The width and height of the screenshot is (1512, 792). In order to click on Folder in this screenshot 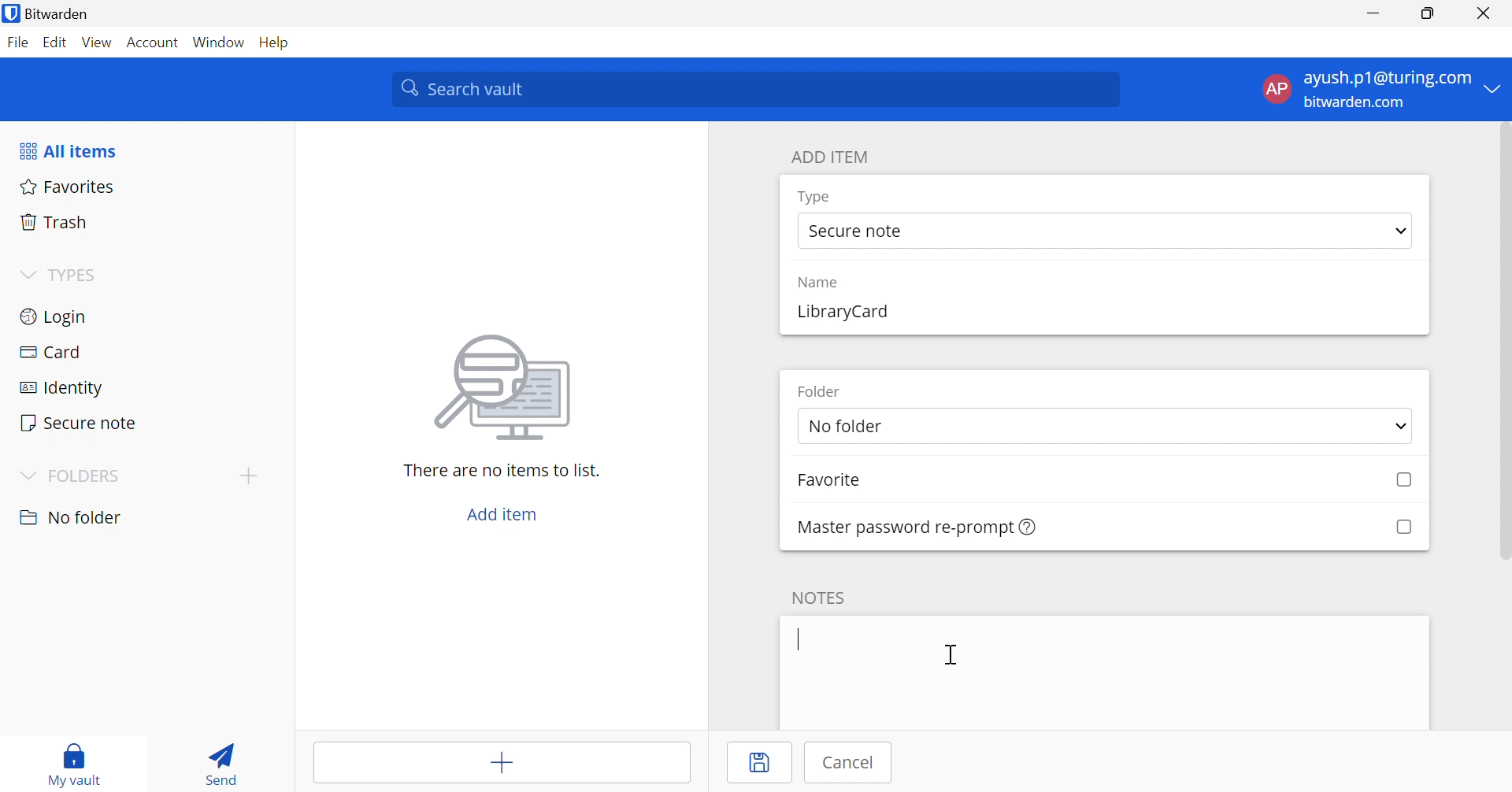, I will do `click(819, 393)`.